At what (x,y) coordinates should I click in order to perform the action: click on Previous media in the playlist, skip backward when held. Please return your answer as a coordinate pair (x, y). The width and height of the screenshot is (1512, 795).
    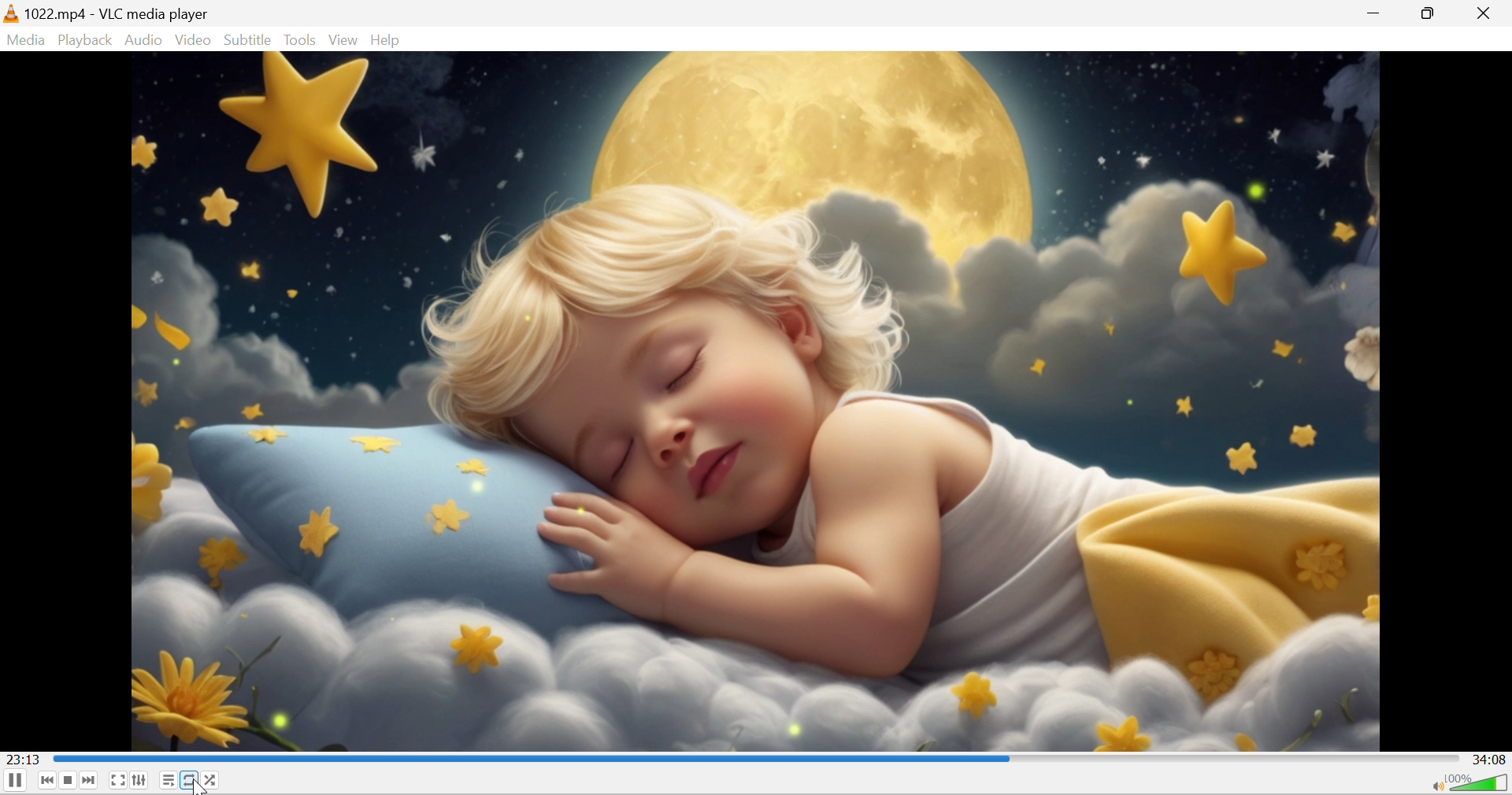
    Looking at the image, I should click on (48, 780).